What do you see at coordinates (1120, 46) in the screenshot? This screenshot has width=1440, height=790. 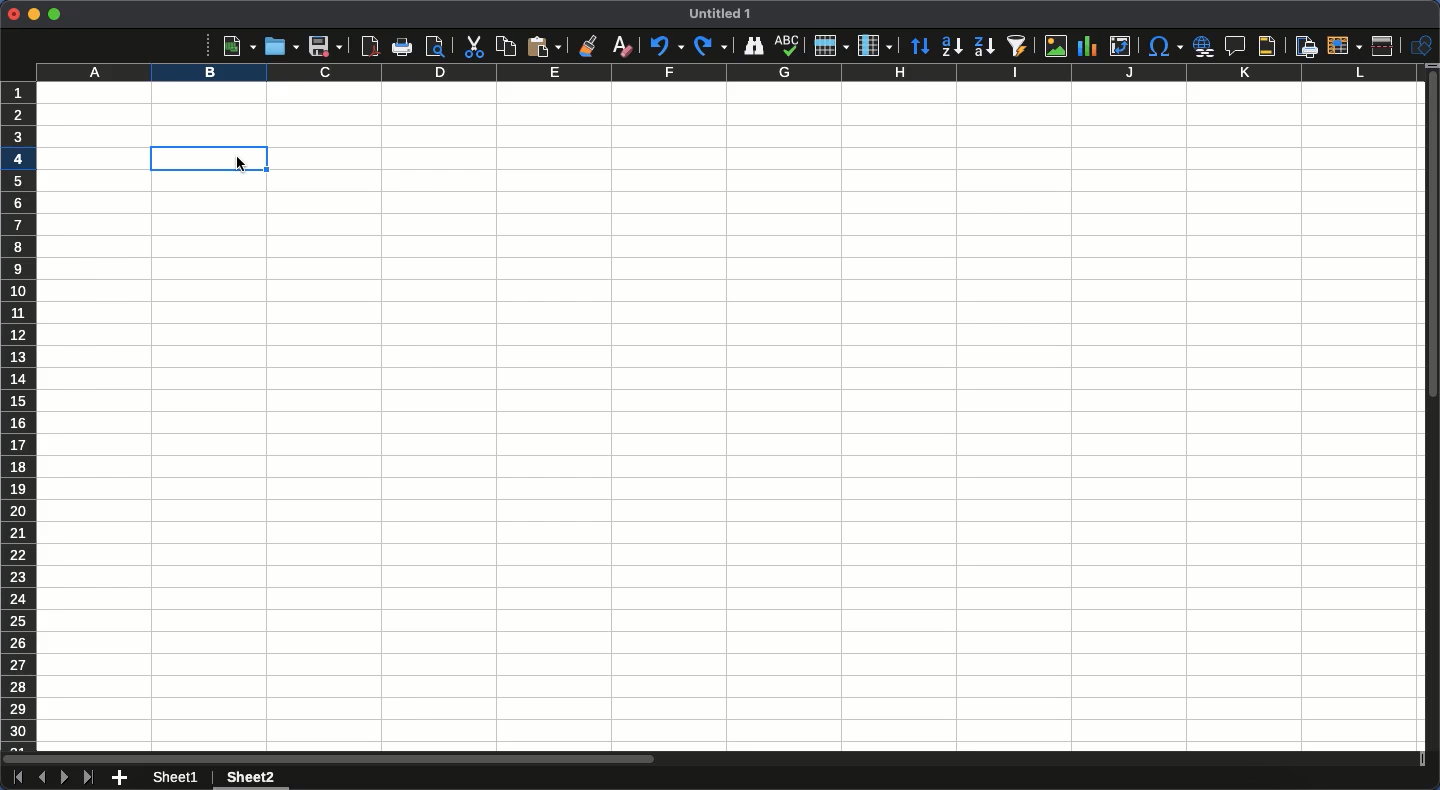 I see `Pivot table` at bounding box center [1120, 46].